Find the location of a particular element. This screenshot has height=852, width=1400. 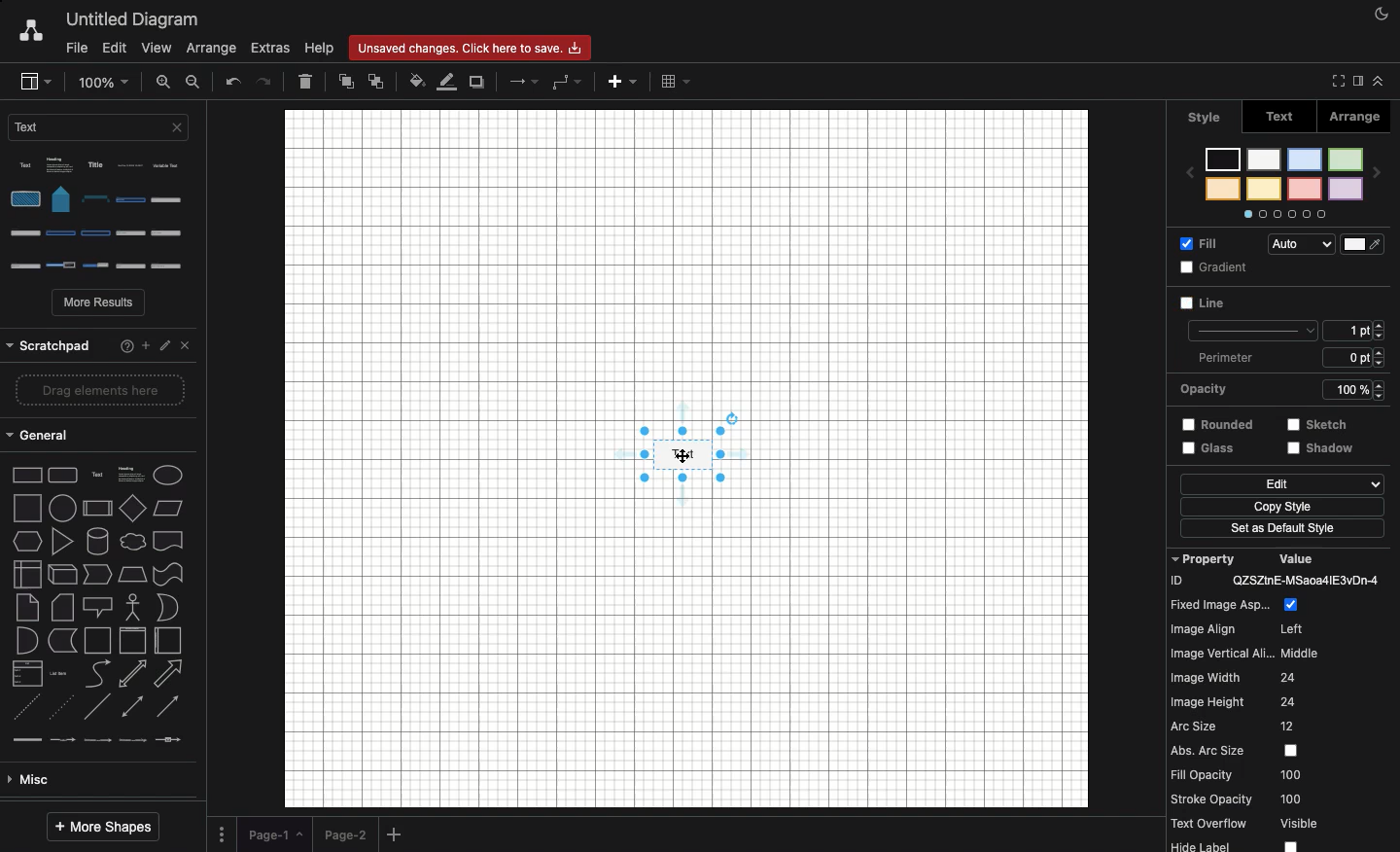

Fullscreen is located at coordinates (1335, 81).